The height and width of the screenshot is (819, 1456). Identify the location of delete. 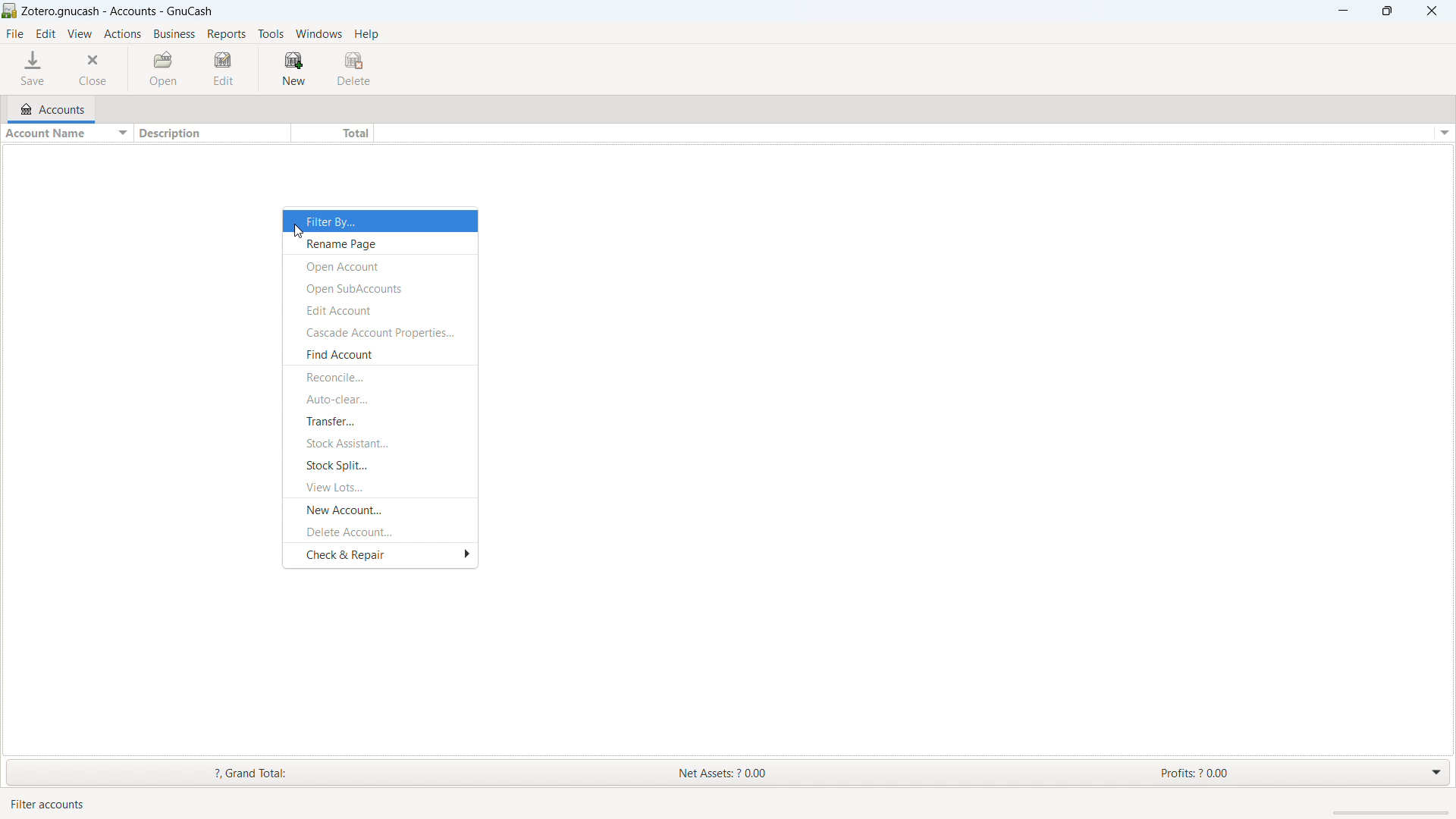
(354, 67).